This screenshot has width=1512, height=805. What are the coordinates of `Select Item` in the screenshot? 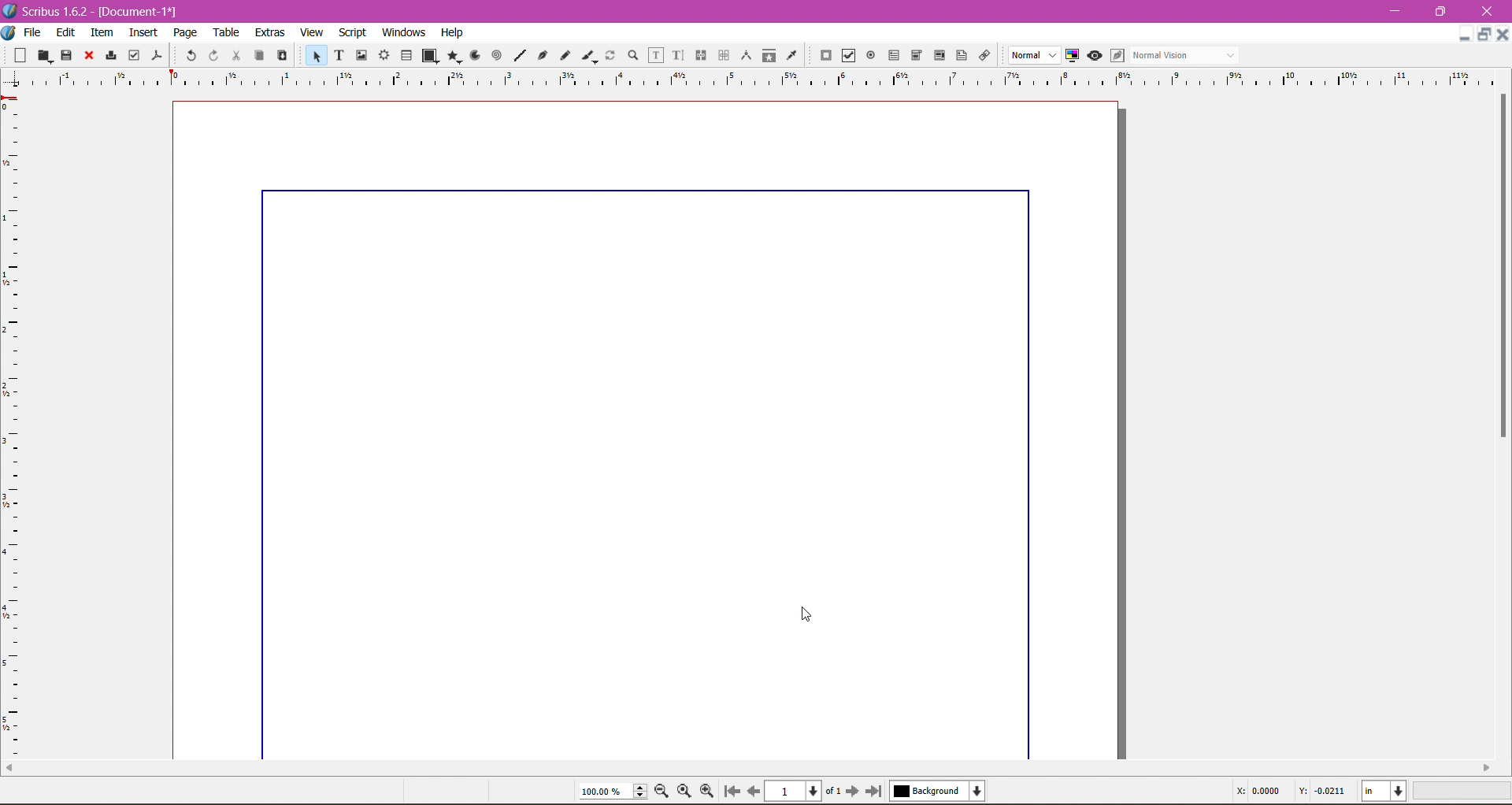 It's located at (313, 56).